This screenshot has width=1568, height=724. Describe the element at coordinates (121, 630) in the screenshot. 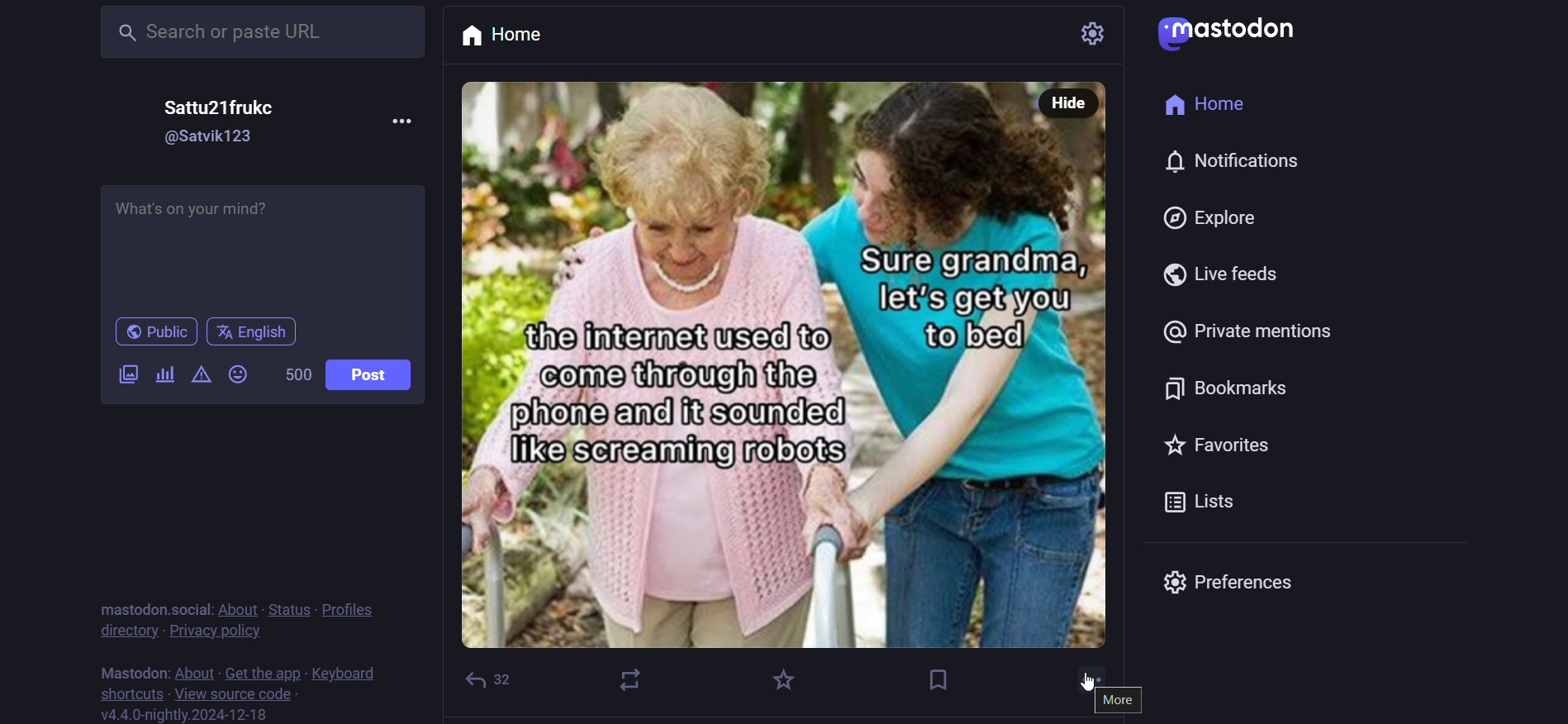

I see `directory` at that location.